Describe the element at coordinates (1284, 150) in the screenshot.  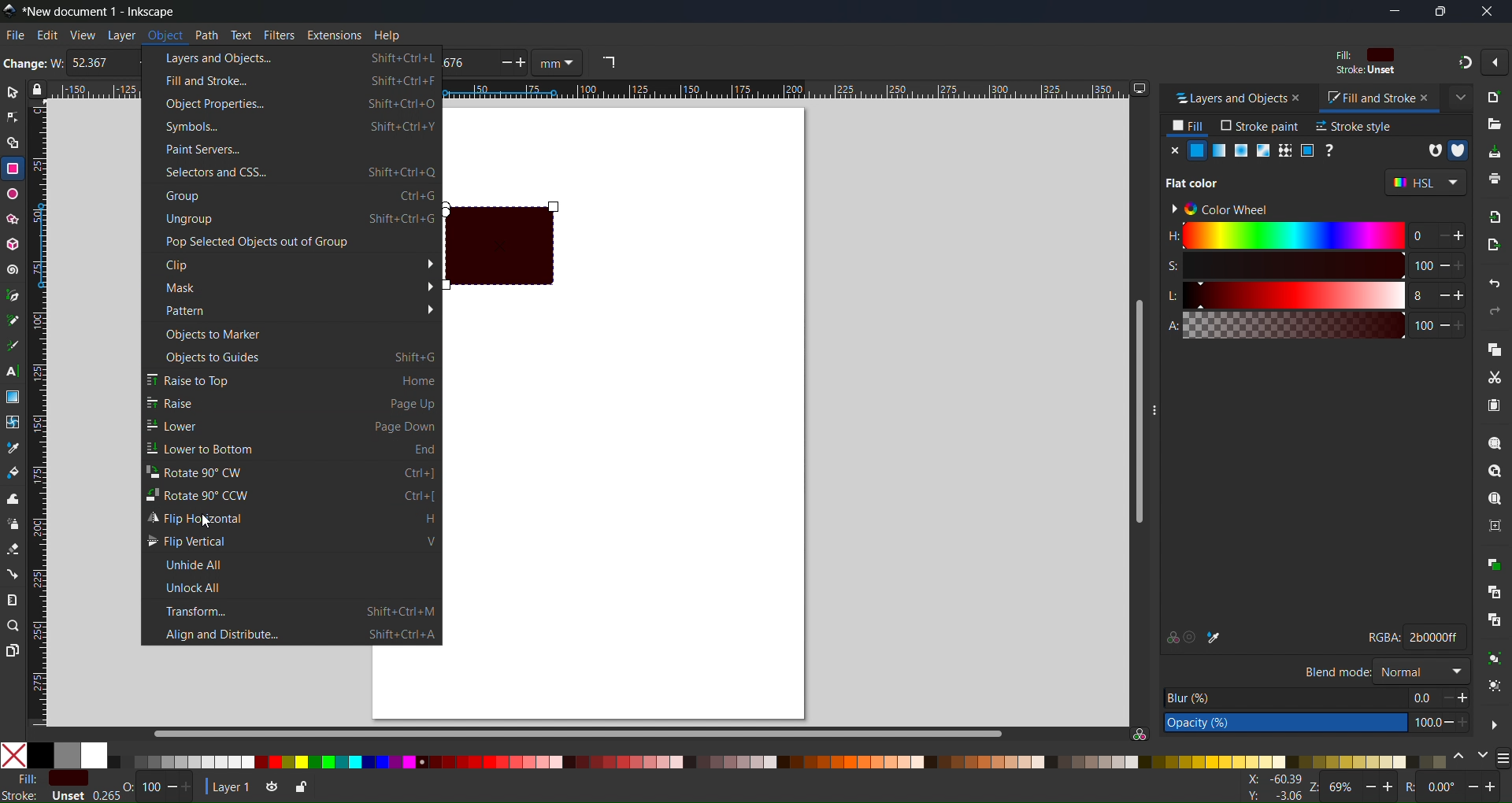
I see `Pattern` at that location.